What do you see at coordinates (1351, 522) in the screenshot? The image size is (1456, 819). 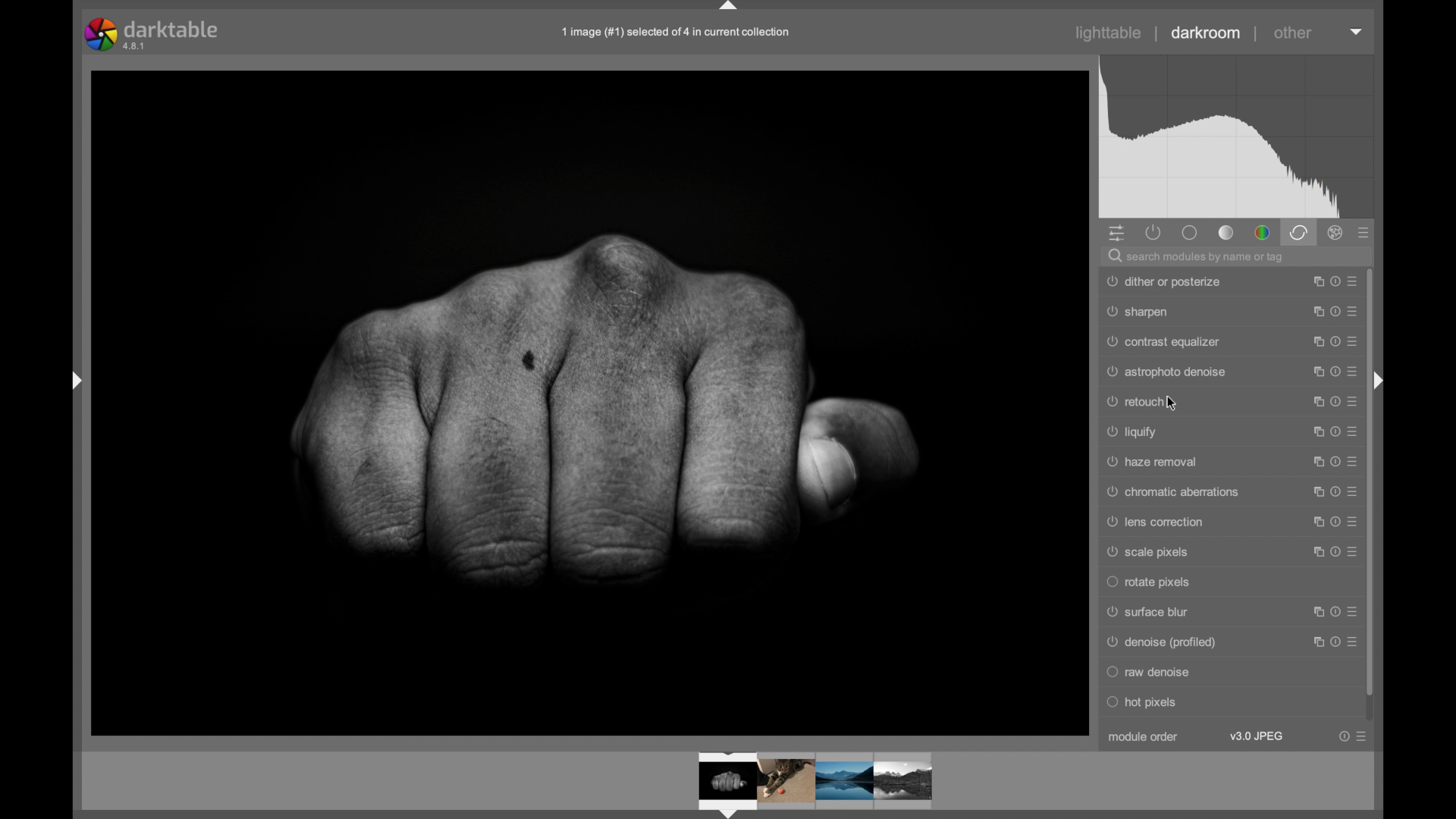 I see `more options` at bounding box center [1351, 522].